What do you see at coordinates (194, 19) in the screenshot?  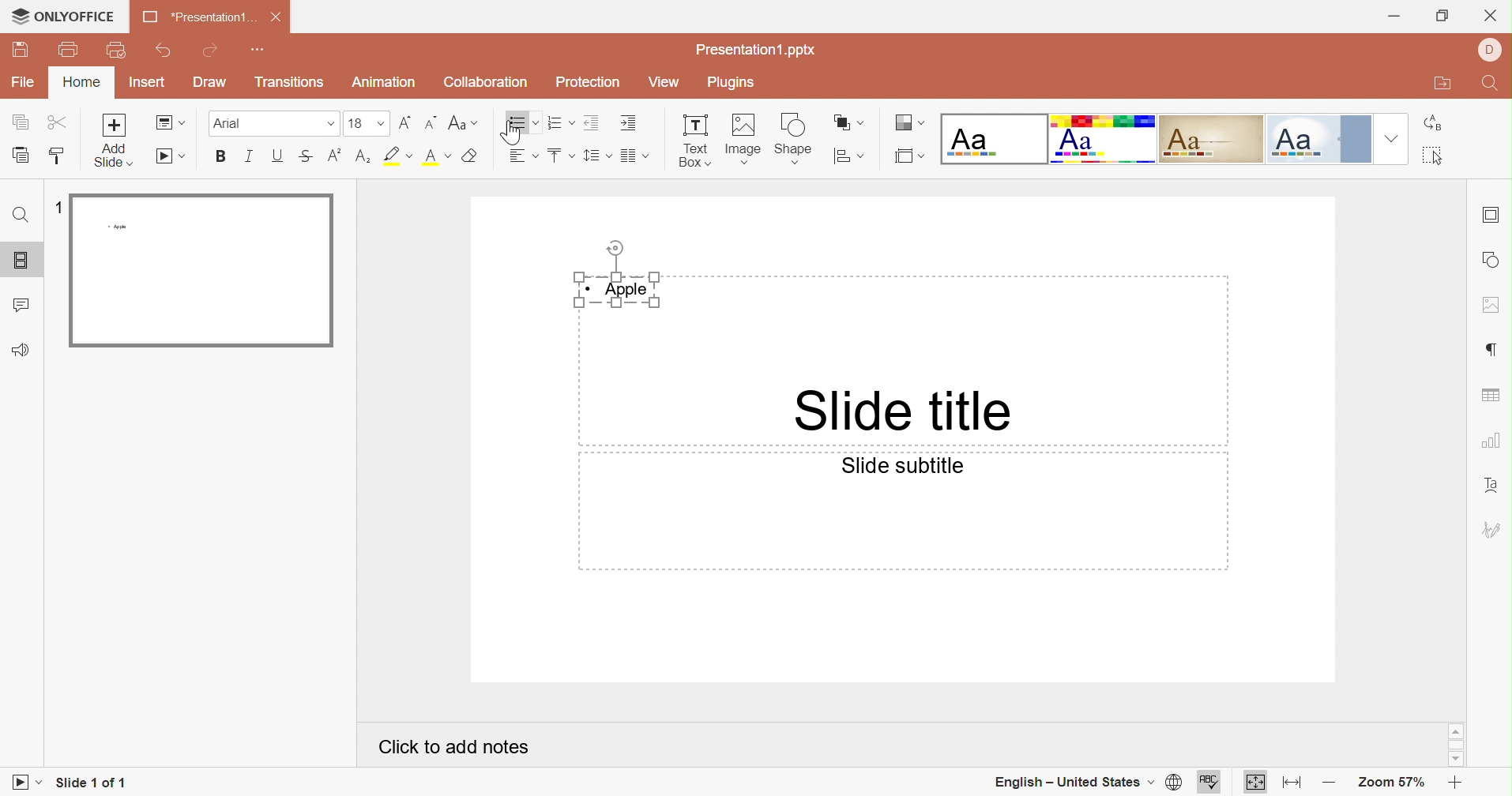 I see `Presentation1` at bounding box center [194, 19].